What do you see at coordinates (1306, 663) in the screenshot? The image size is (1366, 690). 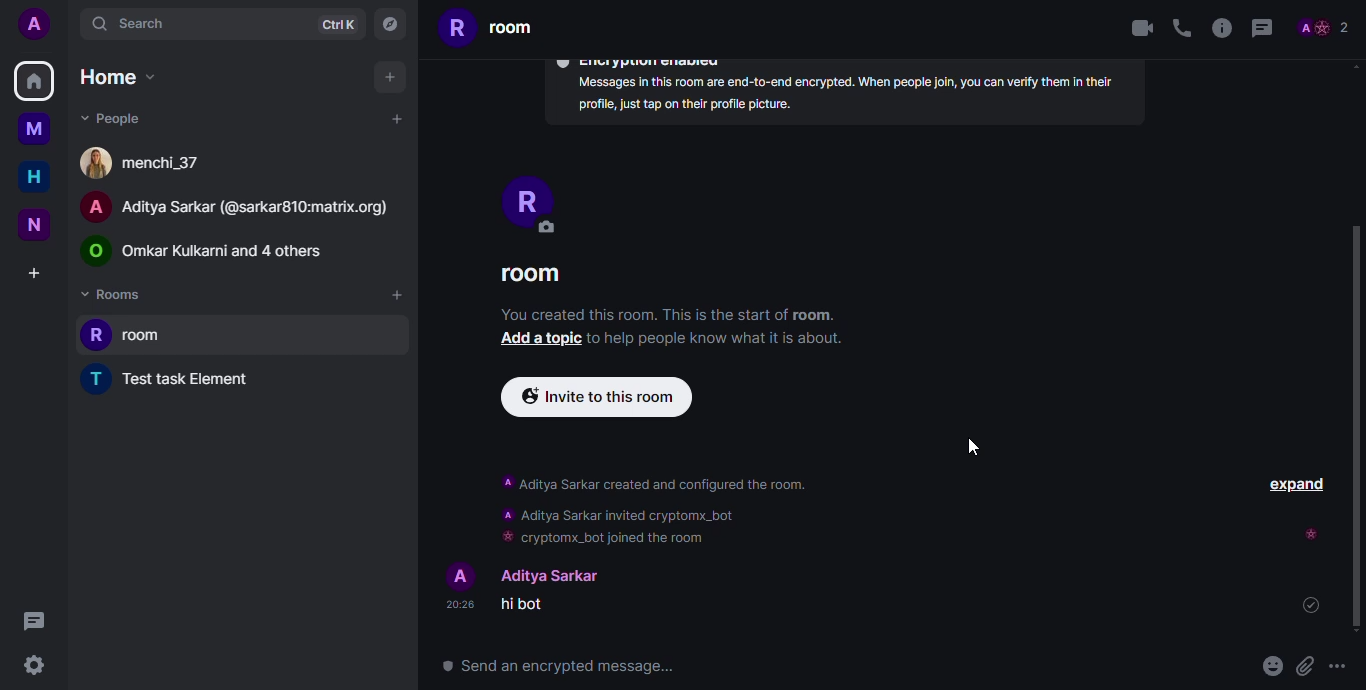 I see `attach` at bounding box center [1306, 663].